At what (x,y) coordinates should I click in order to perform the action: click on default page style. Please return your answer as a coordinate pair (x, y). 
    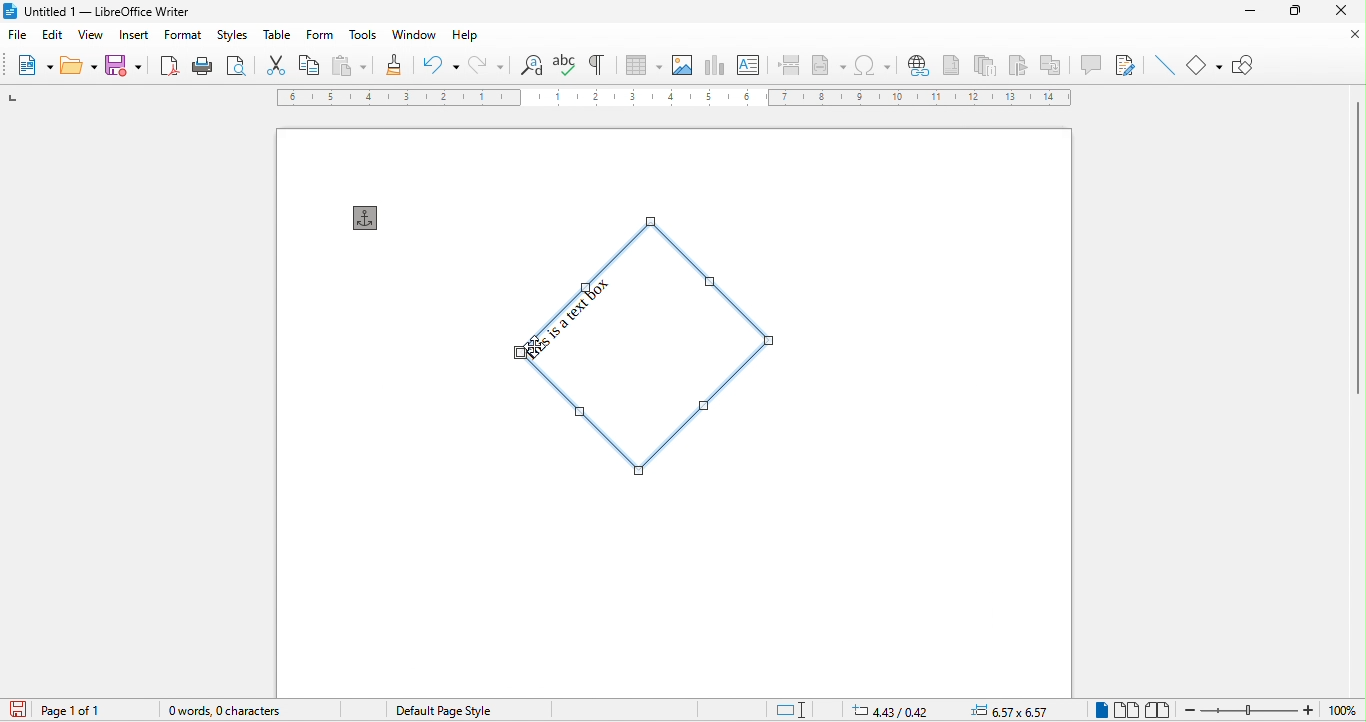
    Looking at the image, I should click on (438, 712).